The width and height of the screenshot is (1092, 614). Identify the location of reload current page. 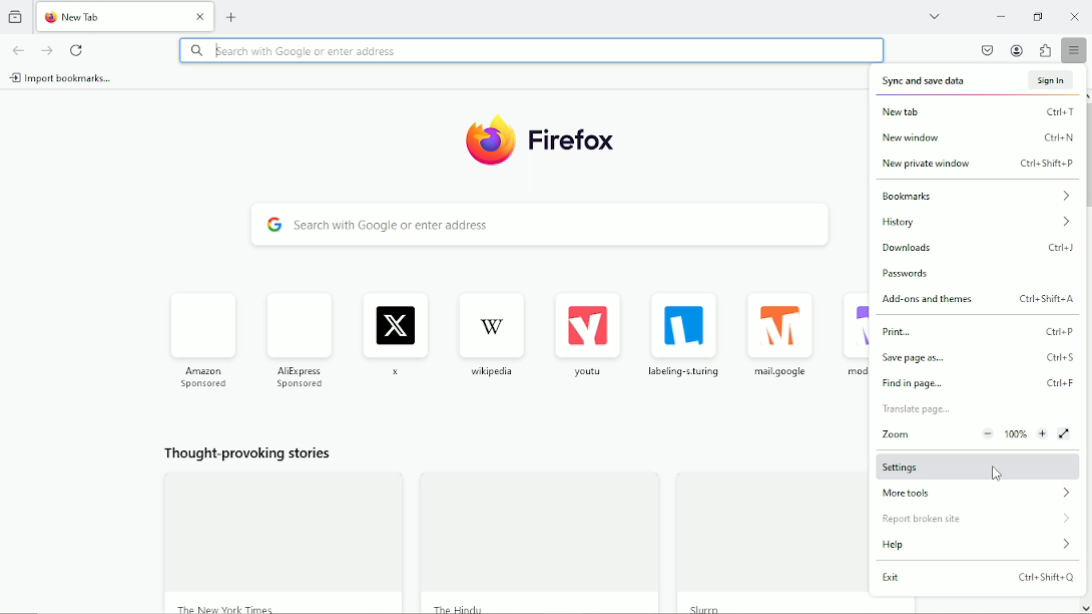
(78, 51).